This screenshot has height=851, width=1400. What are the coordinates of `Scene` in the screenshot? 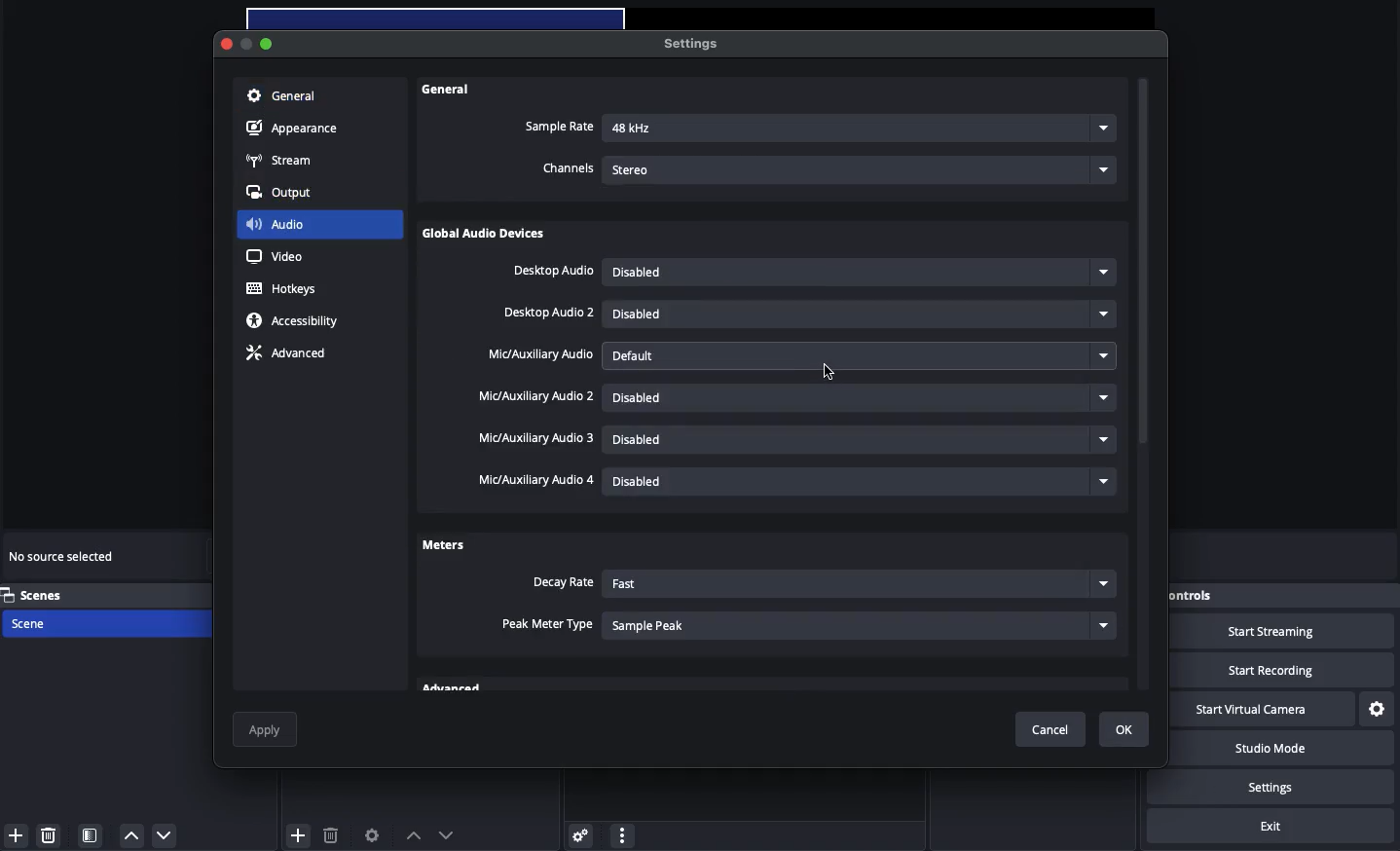 It's located at (51, 624).